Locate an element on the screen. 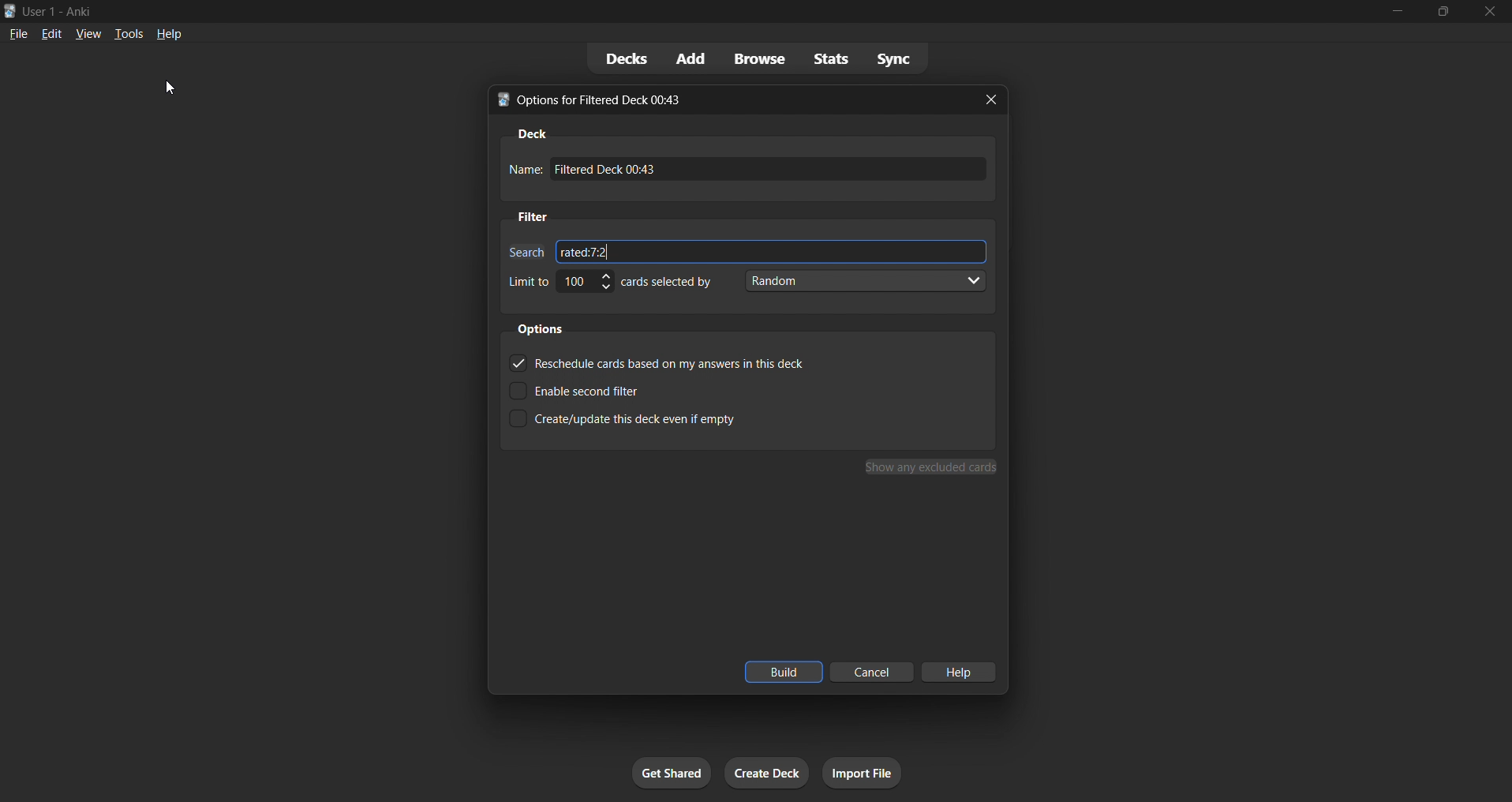 The image size is (1512, 802). stats is located at coordinates (826, 58).